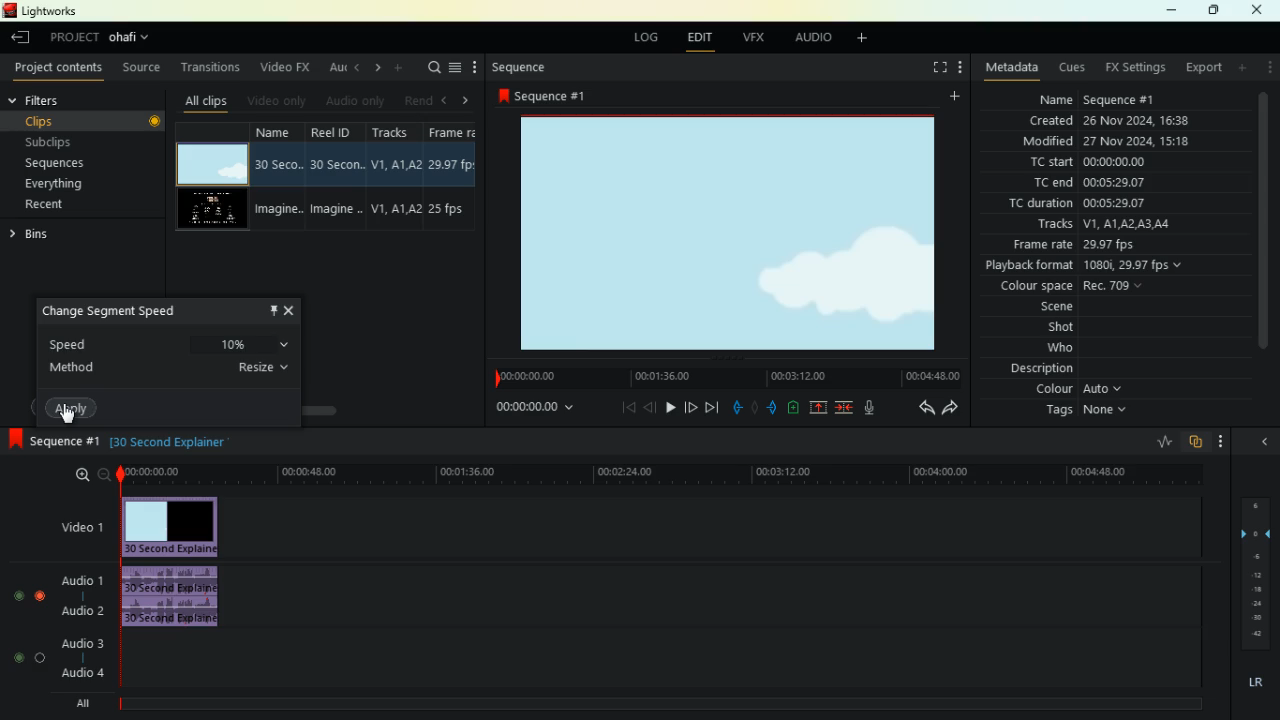  I want to click on fps, so click(455, 179).